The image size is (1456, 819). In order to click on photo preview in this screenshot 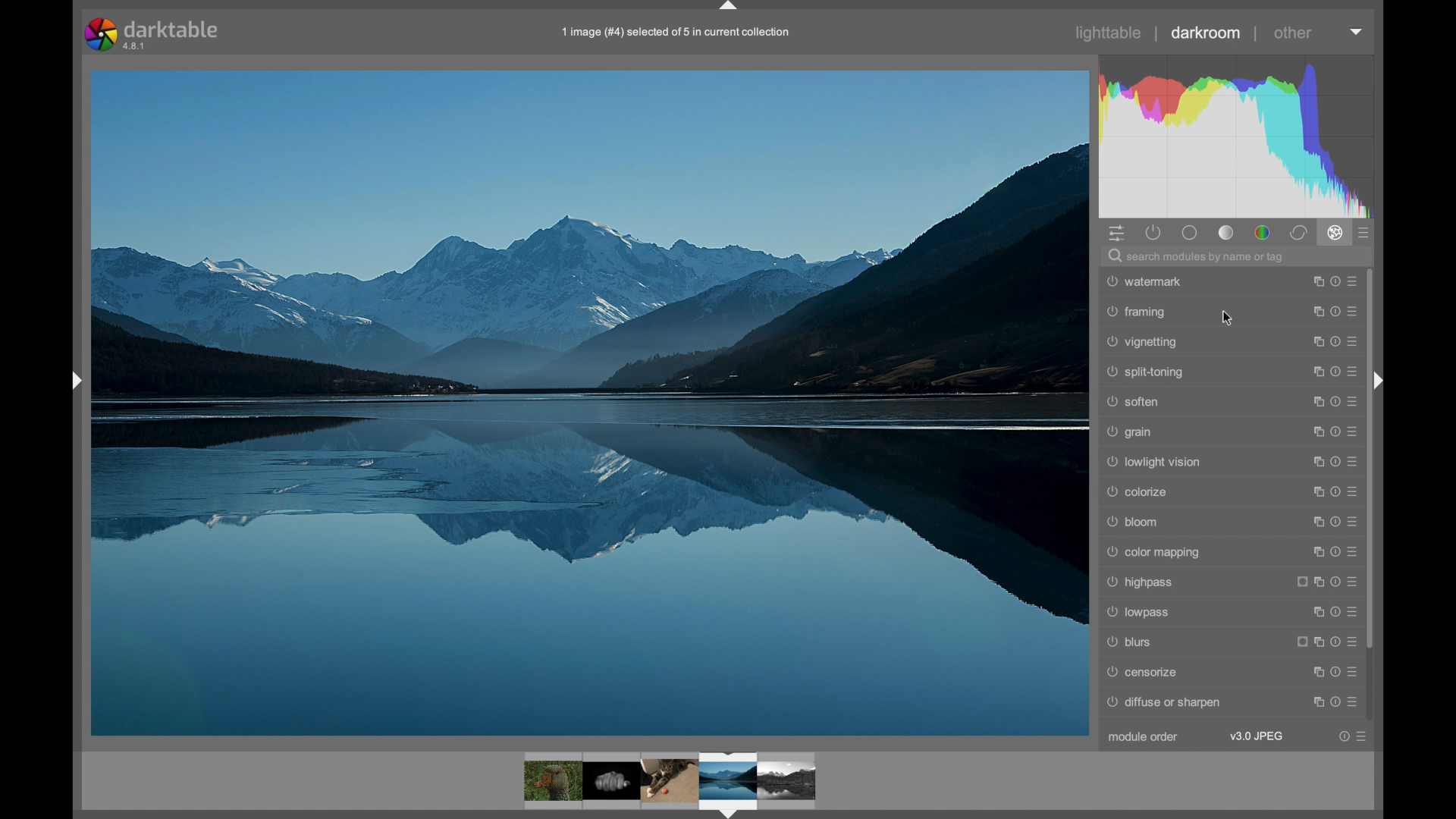, I will do `click(590, 401)`.